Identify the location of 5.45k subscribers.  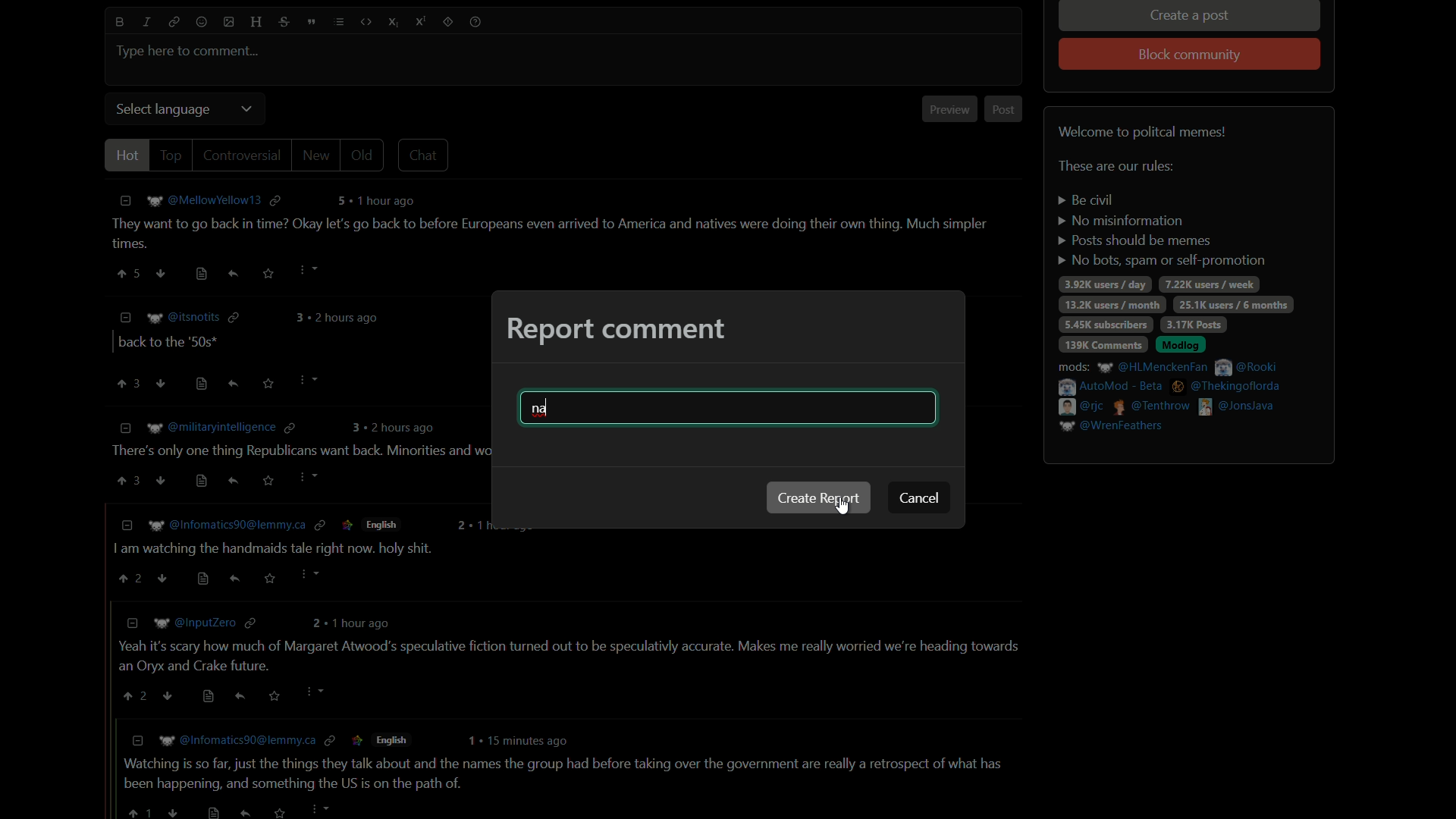
(1106, 325).